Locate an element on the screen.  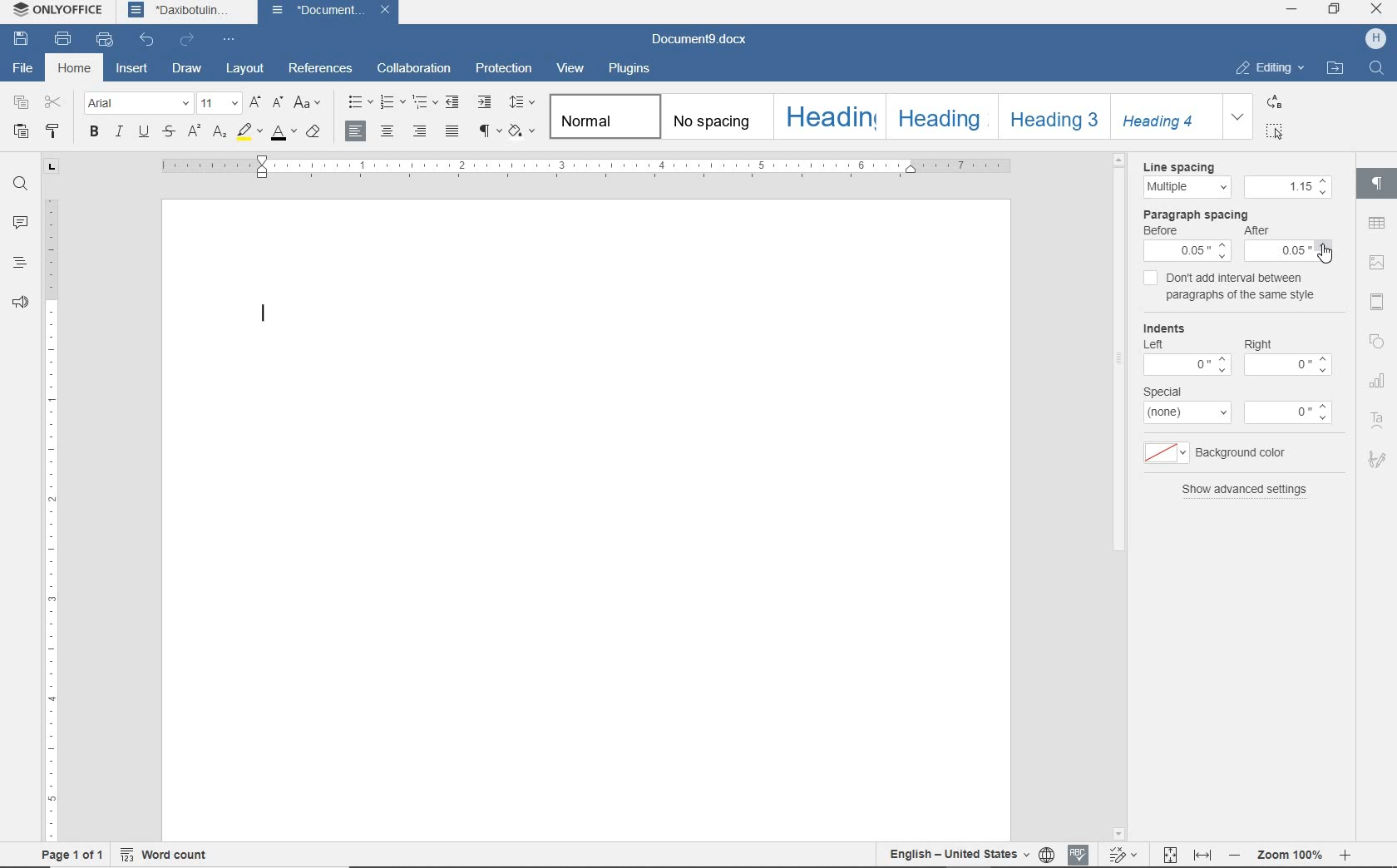
OPEN FILE LOCATION is located at coordinates (1335, 67).